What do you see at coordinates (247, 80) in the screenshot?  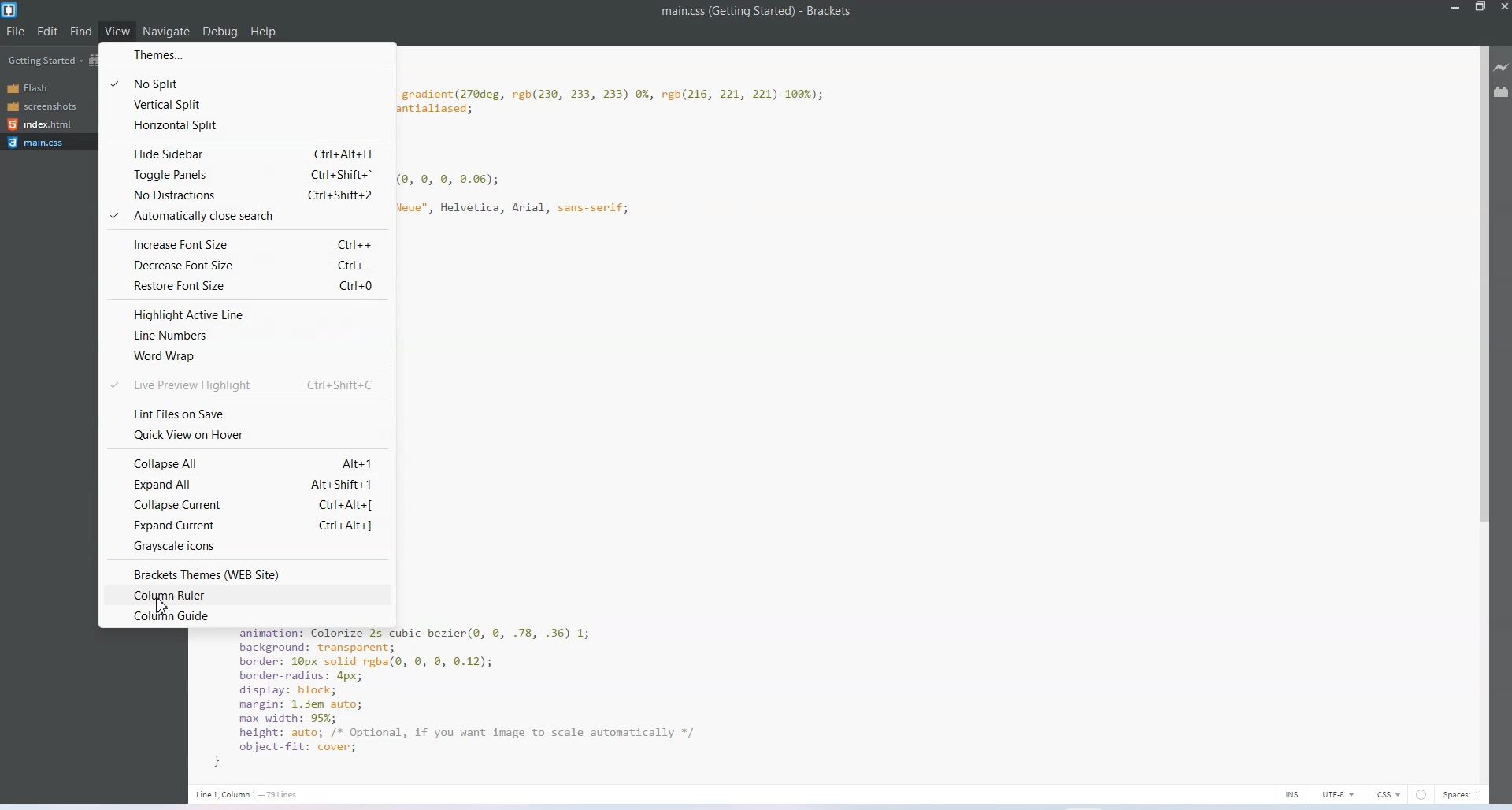 I see `no split` at bounding box center [247, 80].